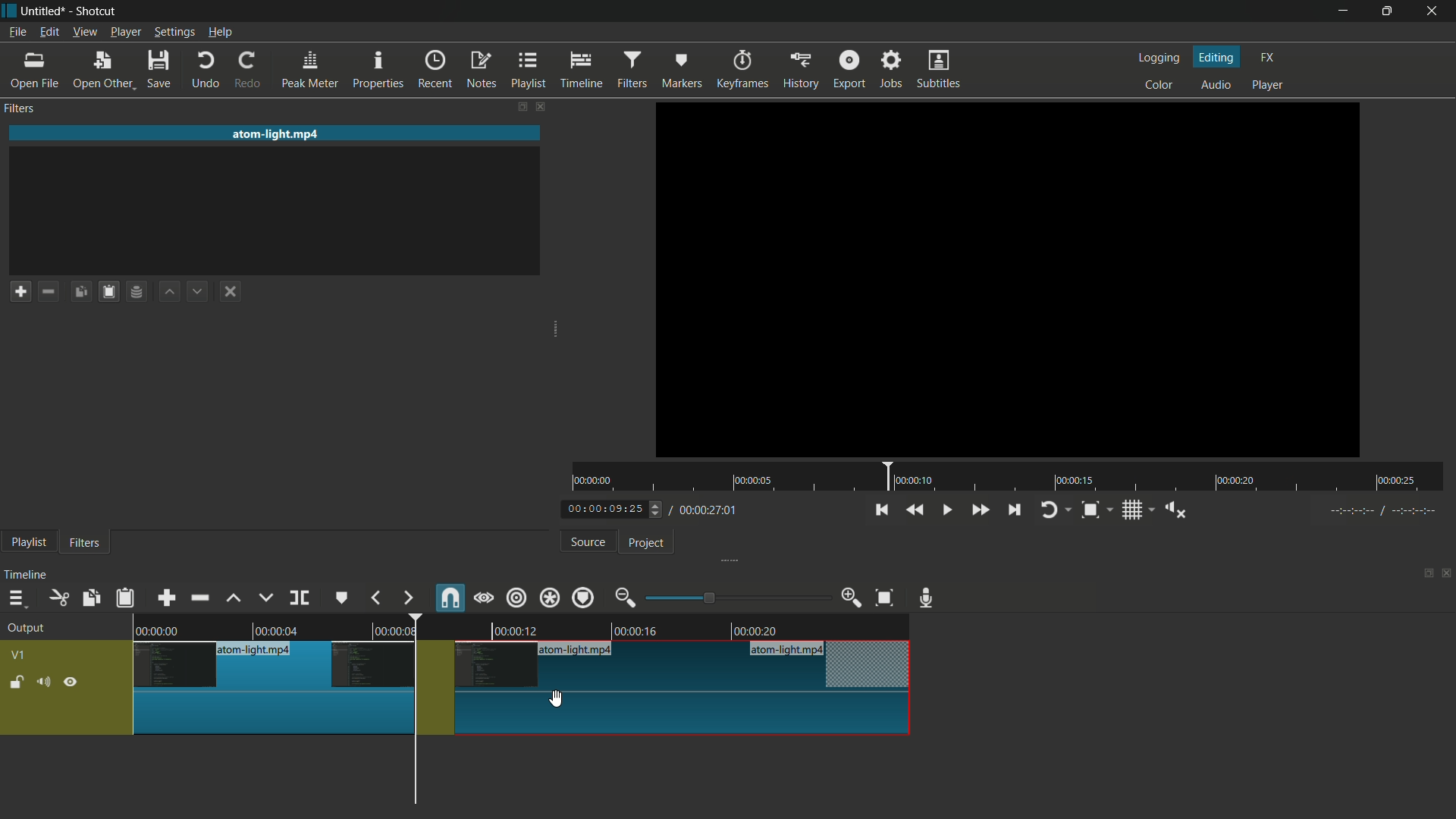  What do you see at coordinates (516, 106) in the screenshot?
I see `change layout` at bounding box center [516, 106].